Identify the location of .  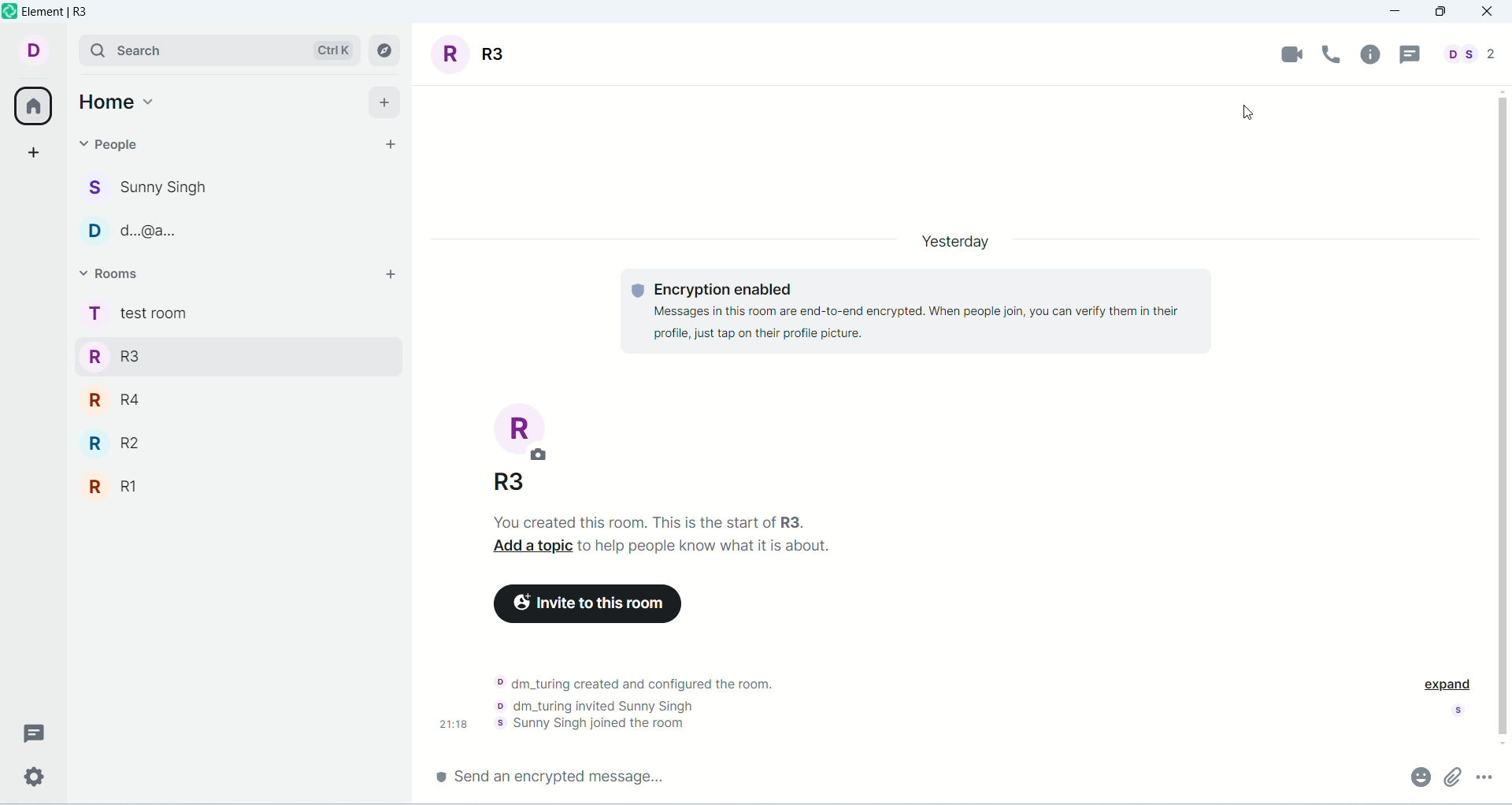
(509, 478).